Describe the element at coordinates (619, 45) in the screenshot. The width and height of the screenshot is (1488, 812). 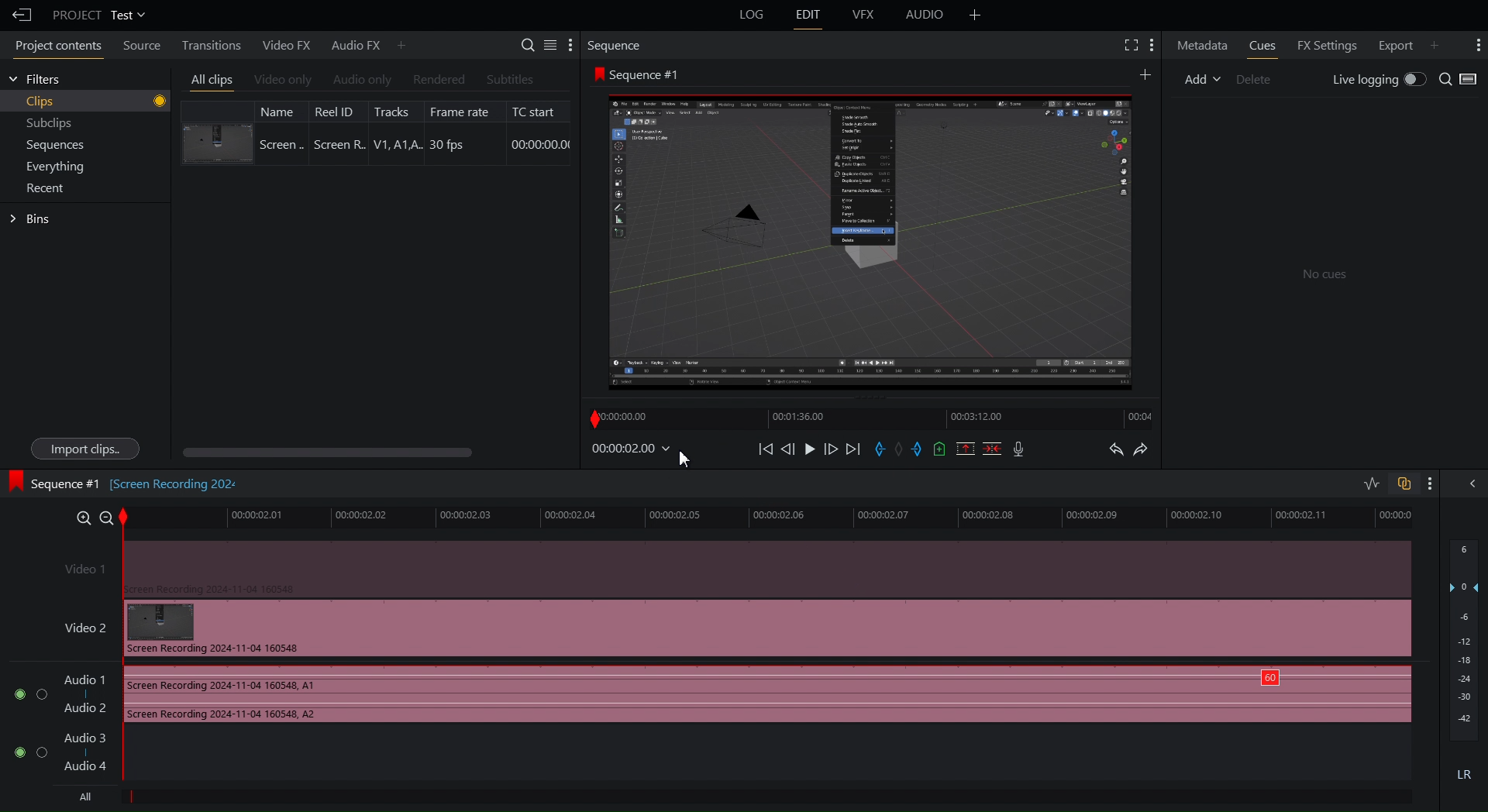
I see `Sequence` at that location.